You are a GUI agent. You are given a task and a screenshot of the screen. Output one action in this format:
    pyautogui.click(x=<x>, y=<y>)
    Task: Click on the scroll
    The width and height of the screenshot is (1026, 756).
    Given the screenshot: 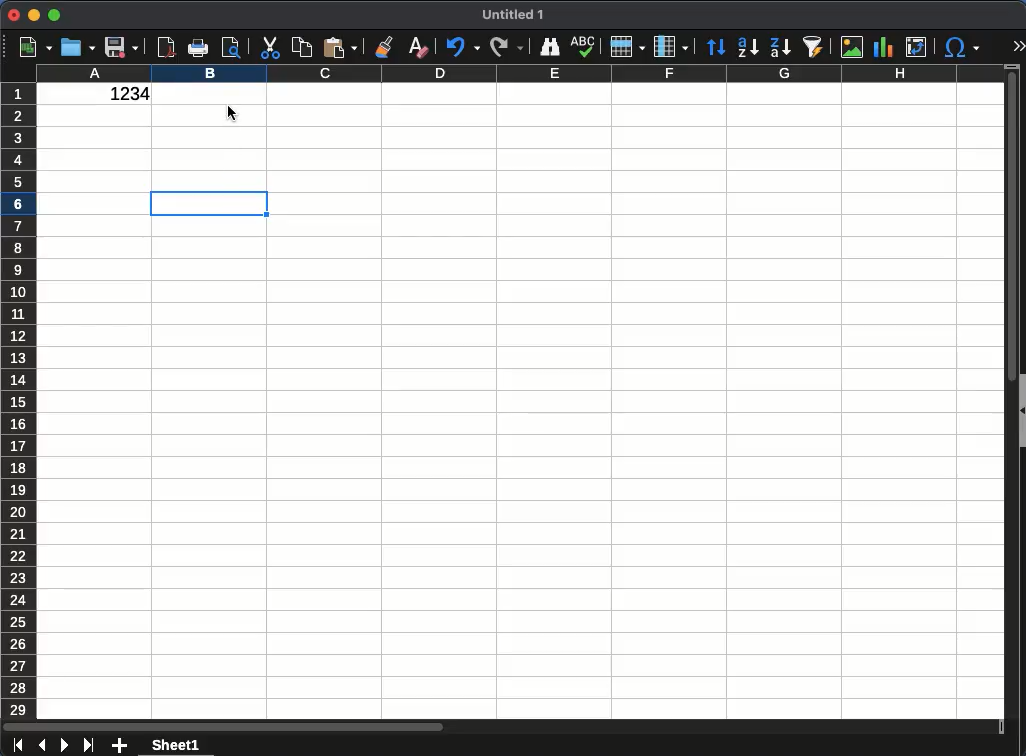 What is the action you would take?
    pyautogui.click(x=1009, y=391)
    